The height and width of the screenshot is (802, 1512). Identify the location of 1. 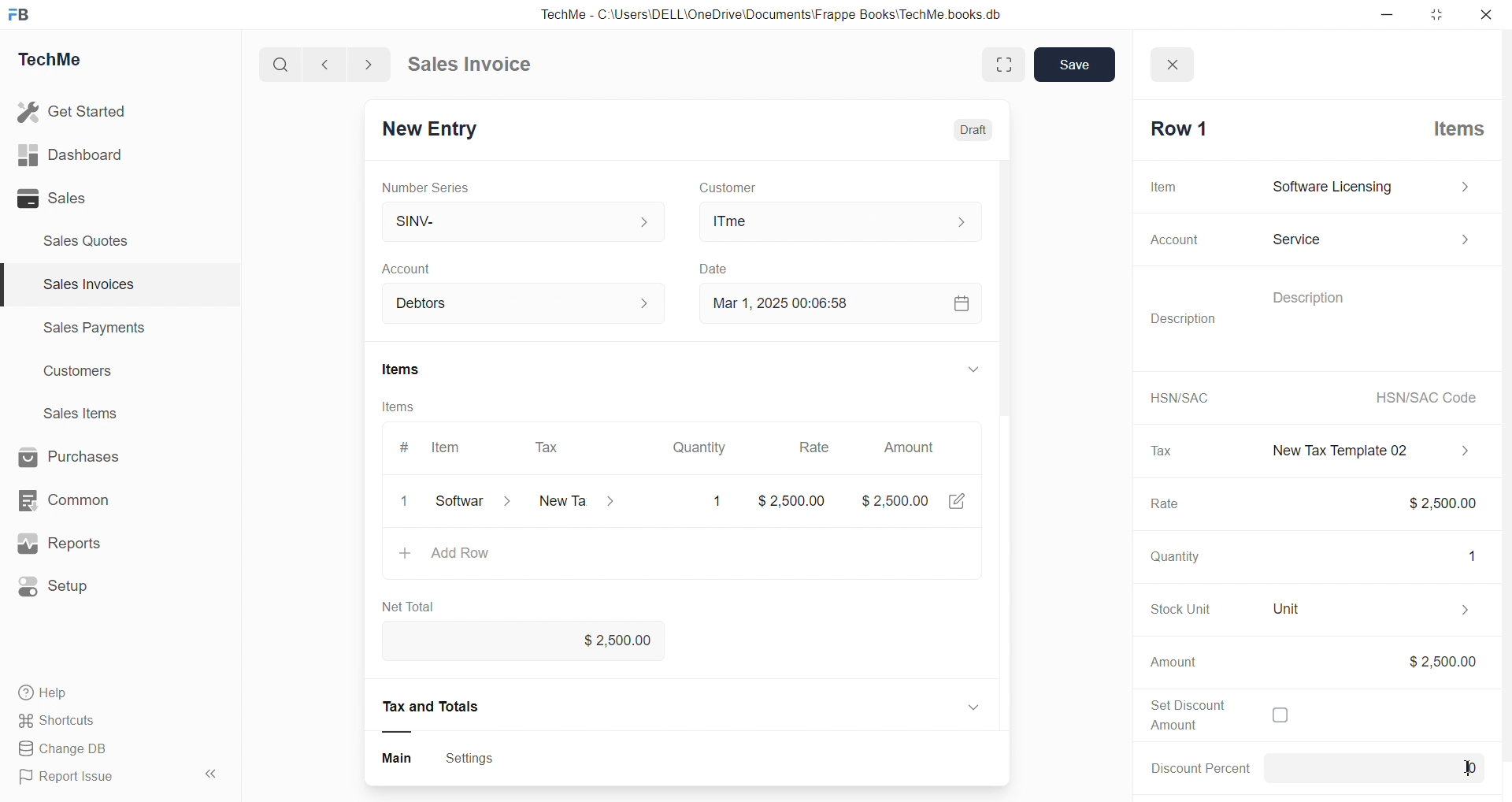
(408, 502).